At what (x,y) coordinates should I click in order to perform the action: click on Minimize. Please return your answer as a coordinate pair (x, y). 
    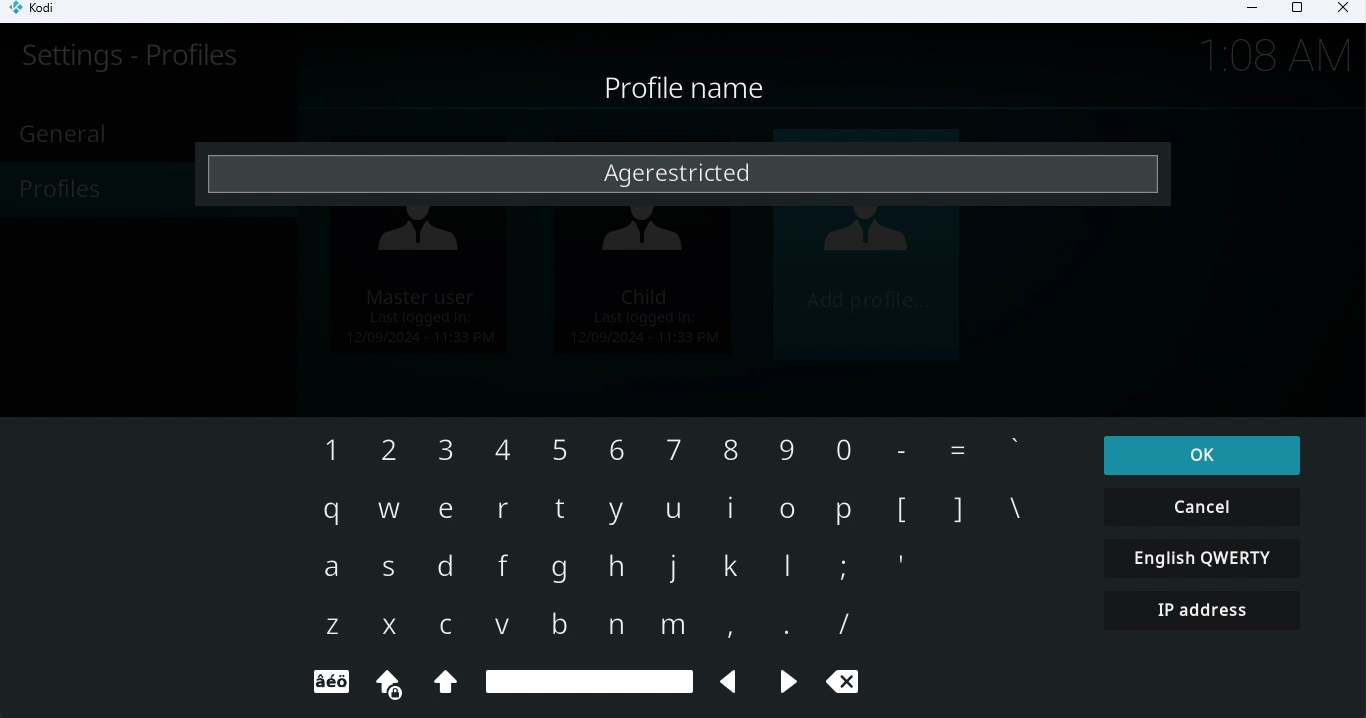
    Looking at the image, I should click on (1245, 11).